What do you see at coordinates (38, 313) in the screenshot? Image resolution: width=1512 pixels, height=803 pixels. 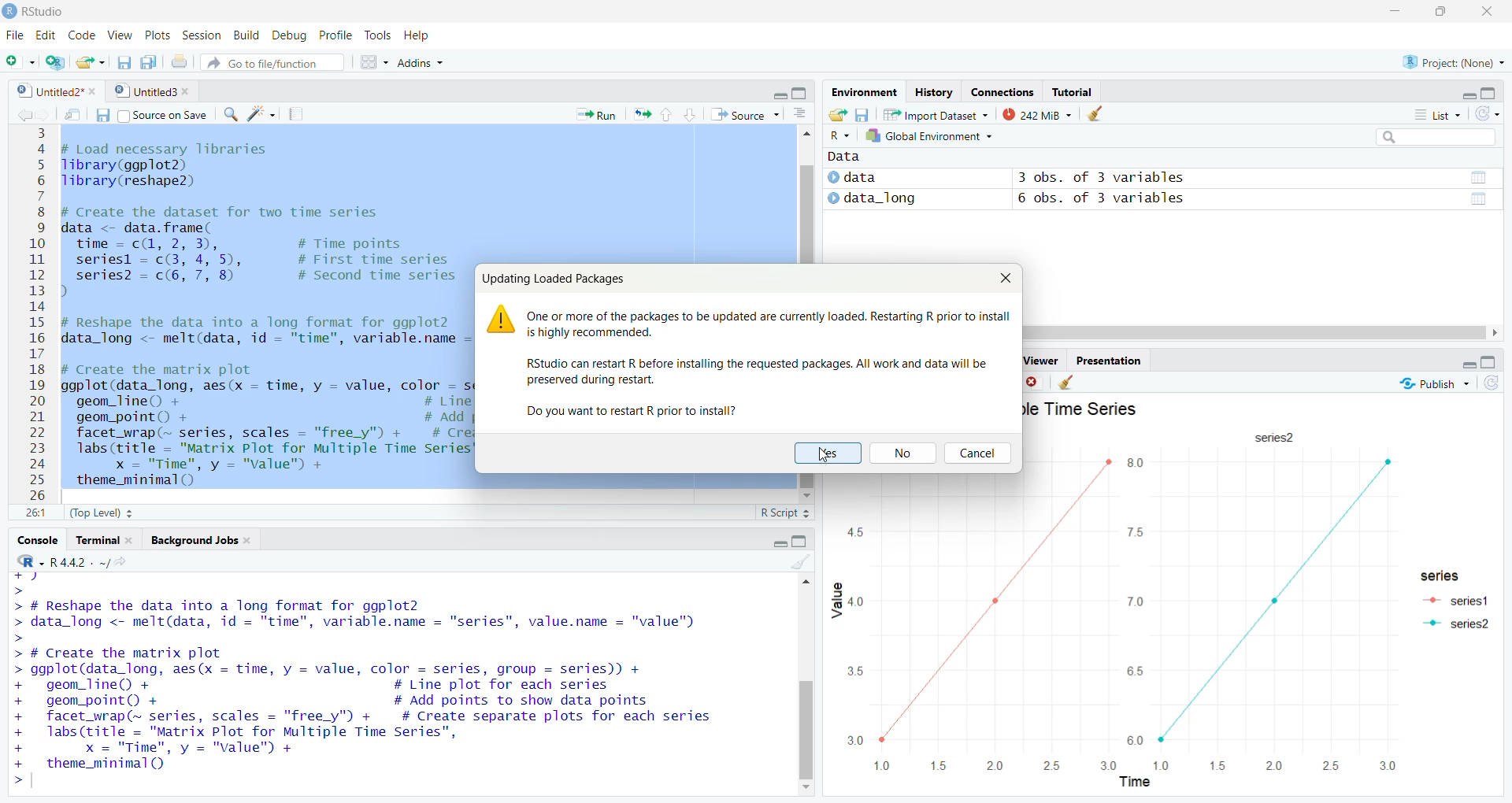 I see `3 4 5 6 7 8 9 10 11 12 13 14 15 16 17 18 19 20 21 22 23 24 25 26` at bounding box center [38, 313].